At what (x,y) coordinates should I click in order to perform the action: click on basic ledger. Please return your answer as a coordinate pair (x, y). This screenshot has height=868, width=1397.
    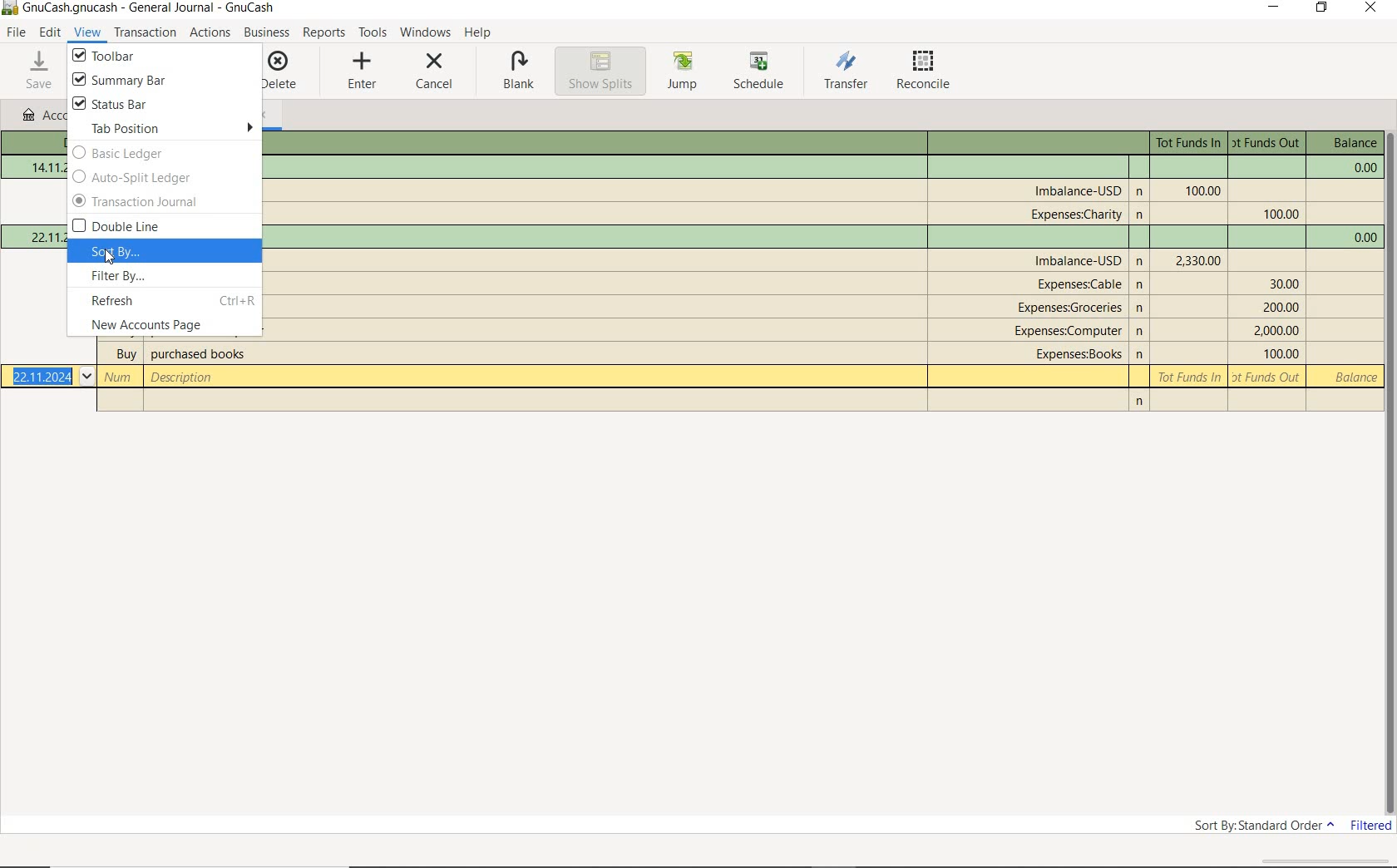
    Looking at the image, I should click on (158, 152).